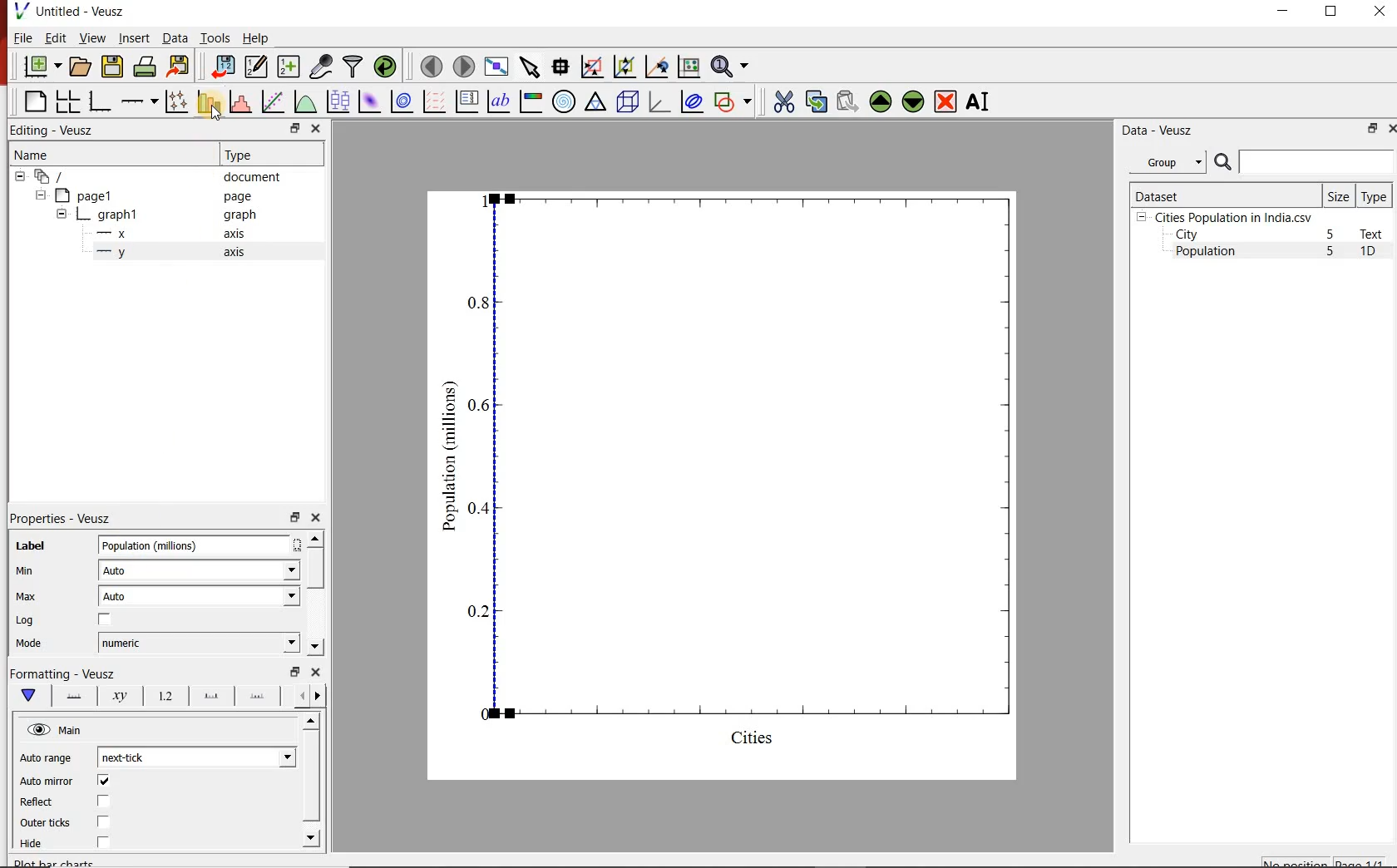  What do you see at coordinates (1390, 128) in the screenshot?
I see `close` at bounding box center [1390, 128].